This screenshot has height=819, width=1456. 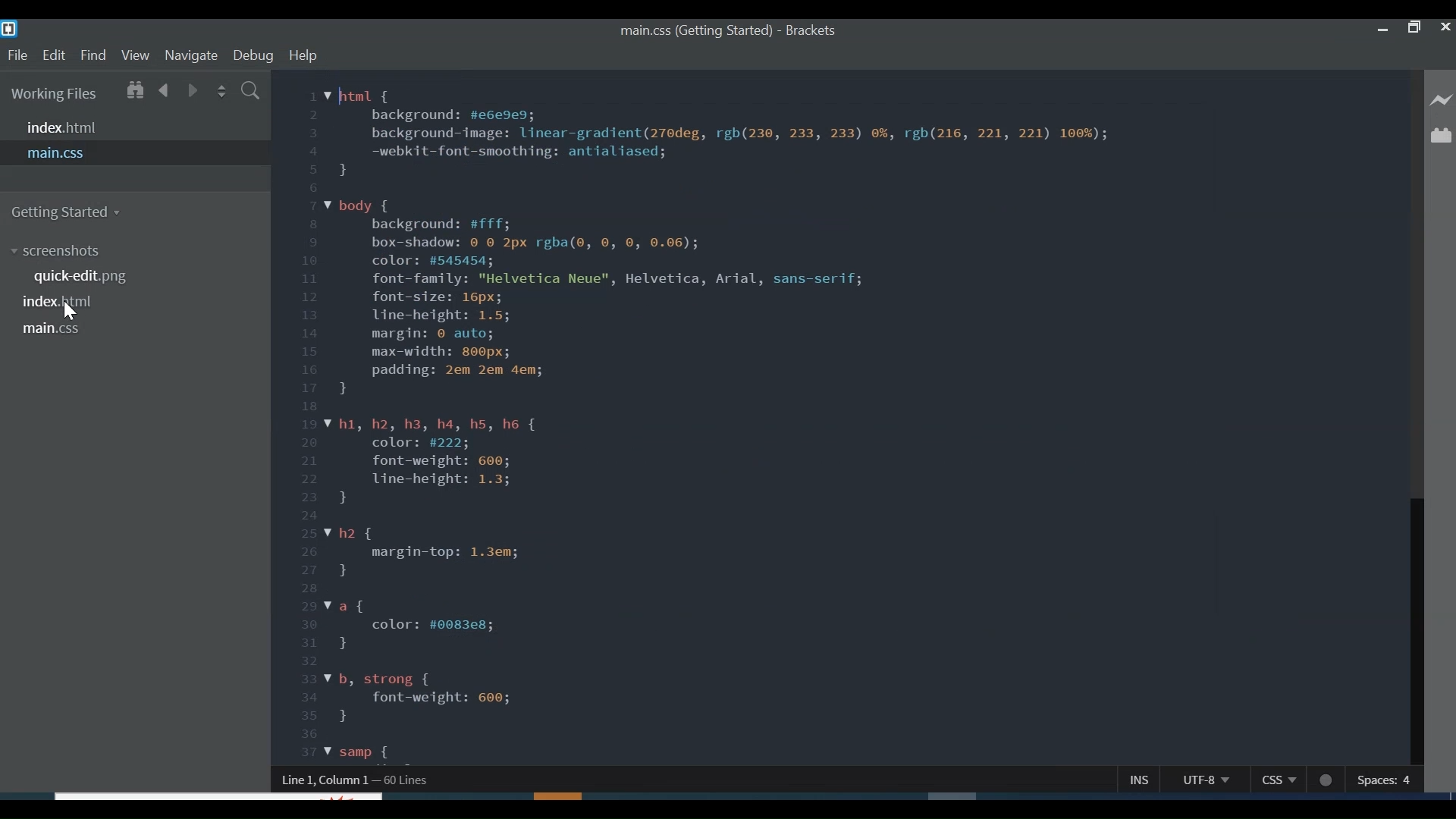 I want to click on Edit, so click(x=53, y=56).